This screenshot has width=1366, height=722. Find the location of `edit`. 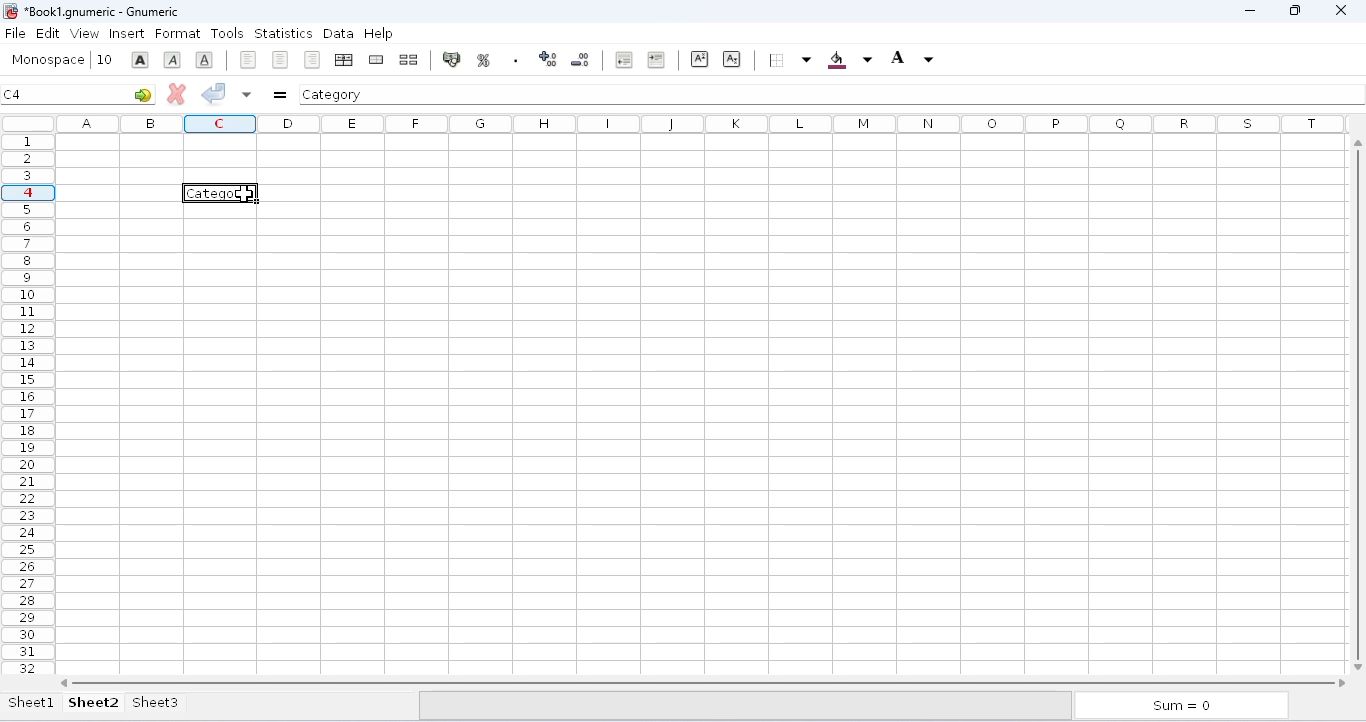

edit is located at coordinates (48, 32).